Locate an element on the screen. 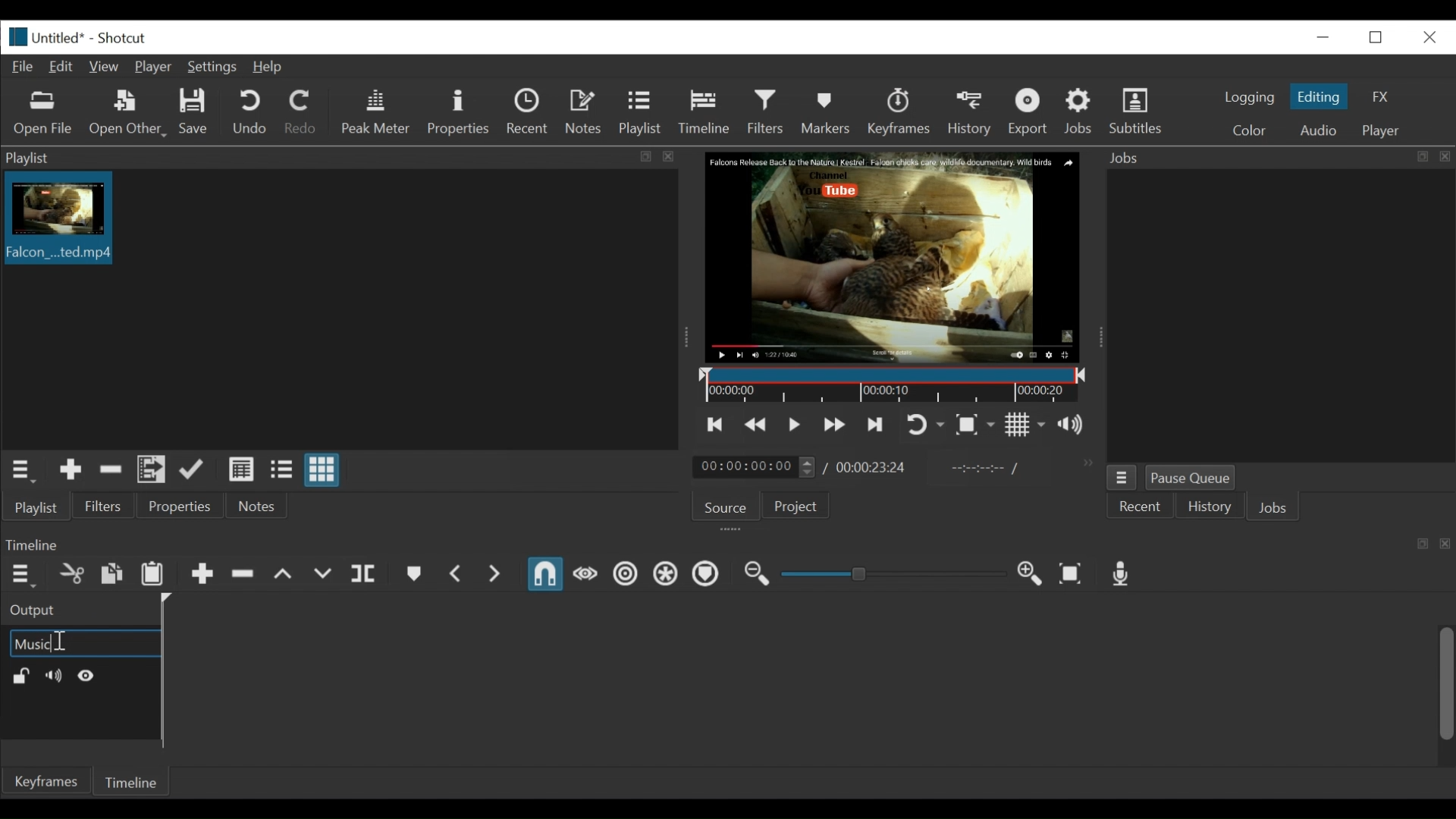 This screenshot has width=1456, height=819. (un)lock track is located at coordinates (20, 676).